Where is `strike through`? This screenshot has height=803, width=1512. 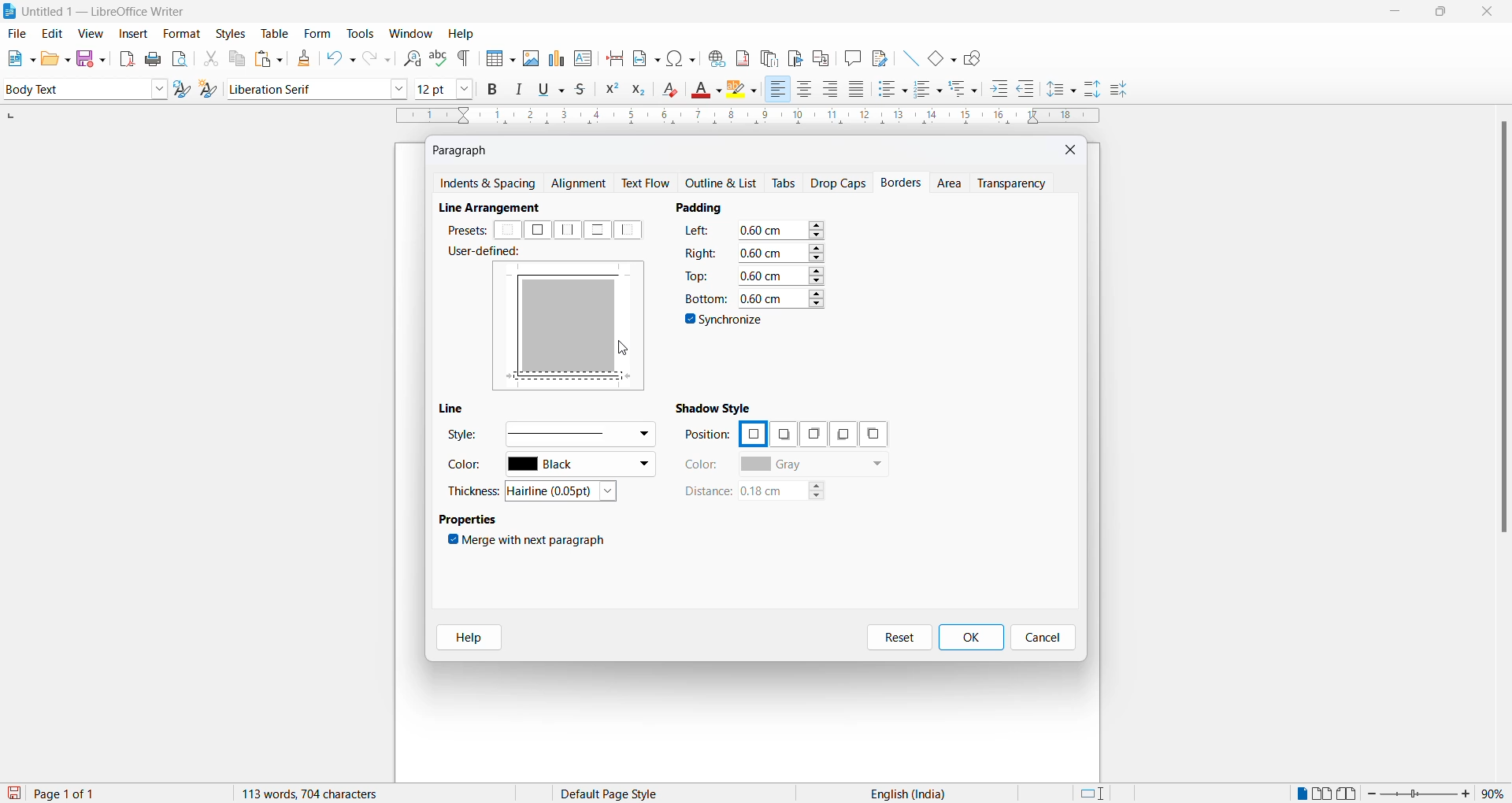 strike through is located at coordinates (585, 90).